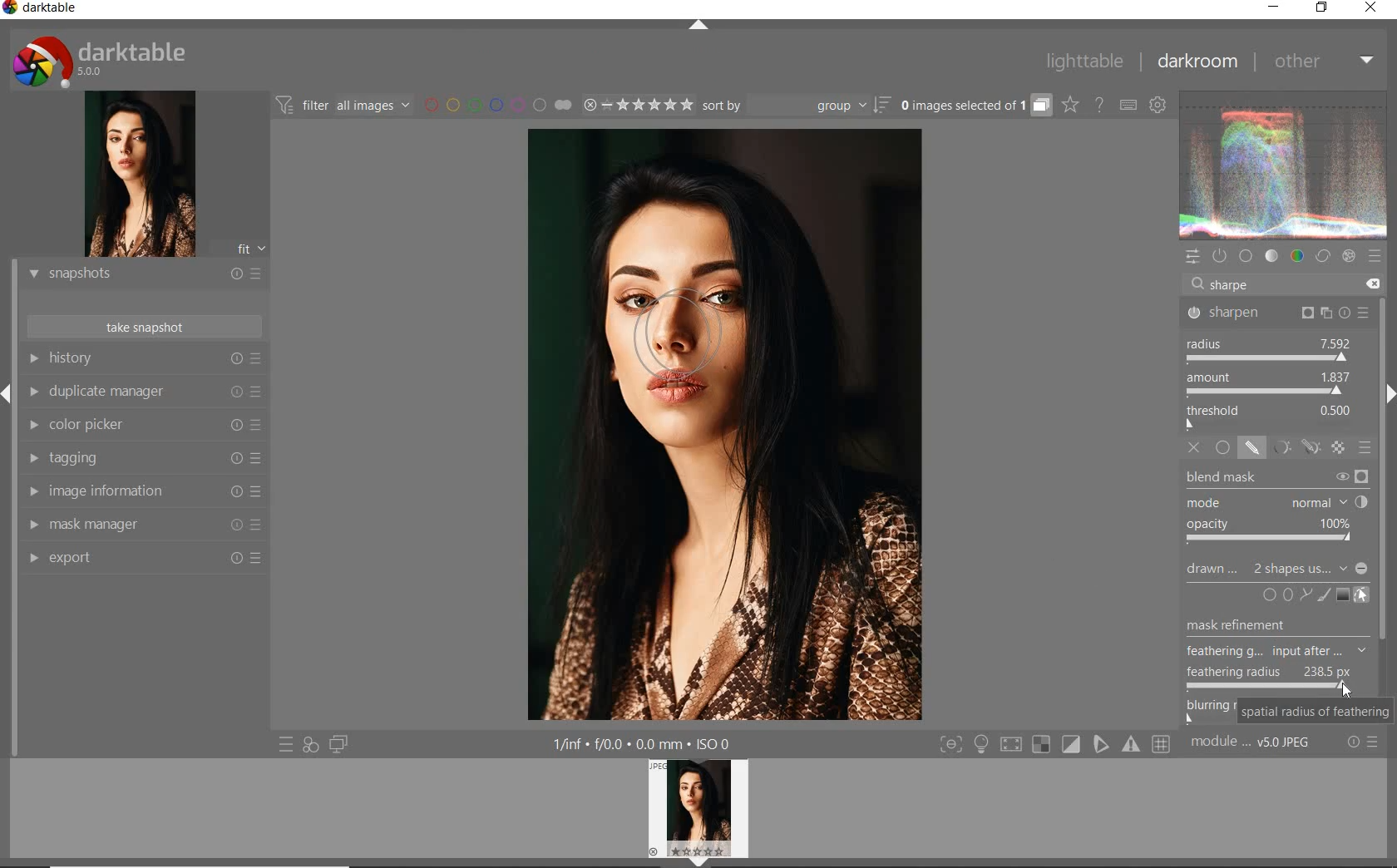  Describe the element at coordinates (146, 326) in the screenshot. I see `TAKE SNAPSHOTS` at that location.